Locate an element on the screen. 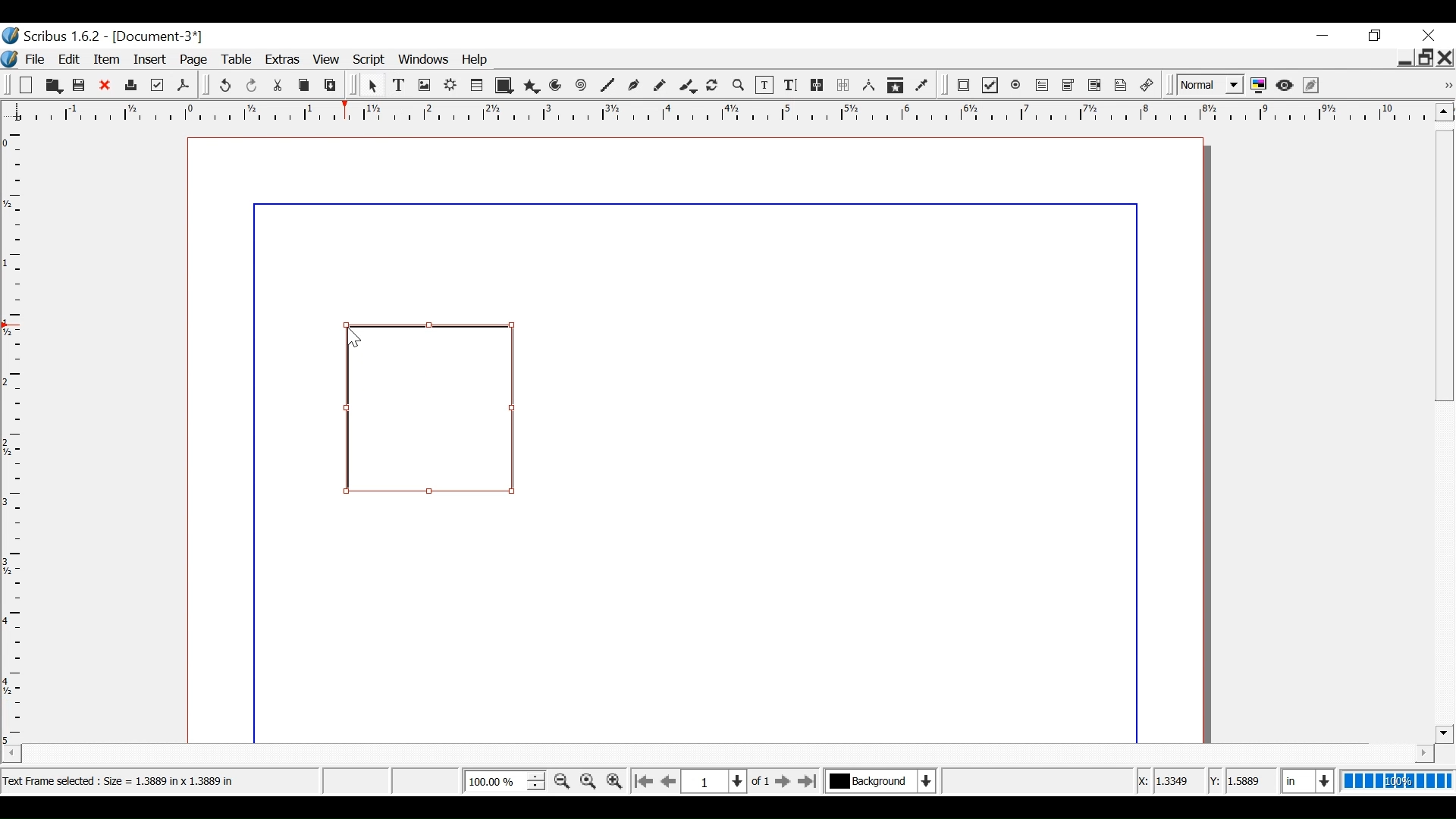  X Coordinates is located at coordinates (1169, 782).